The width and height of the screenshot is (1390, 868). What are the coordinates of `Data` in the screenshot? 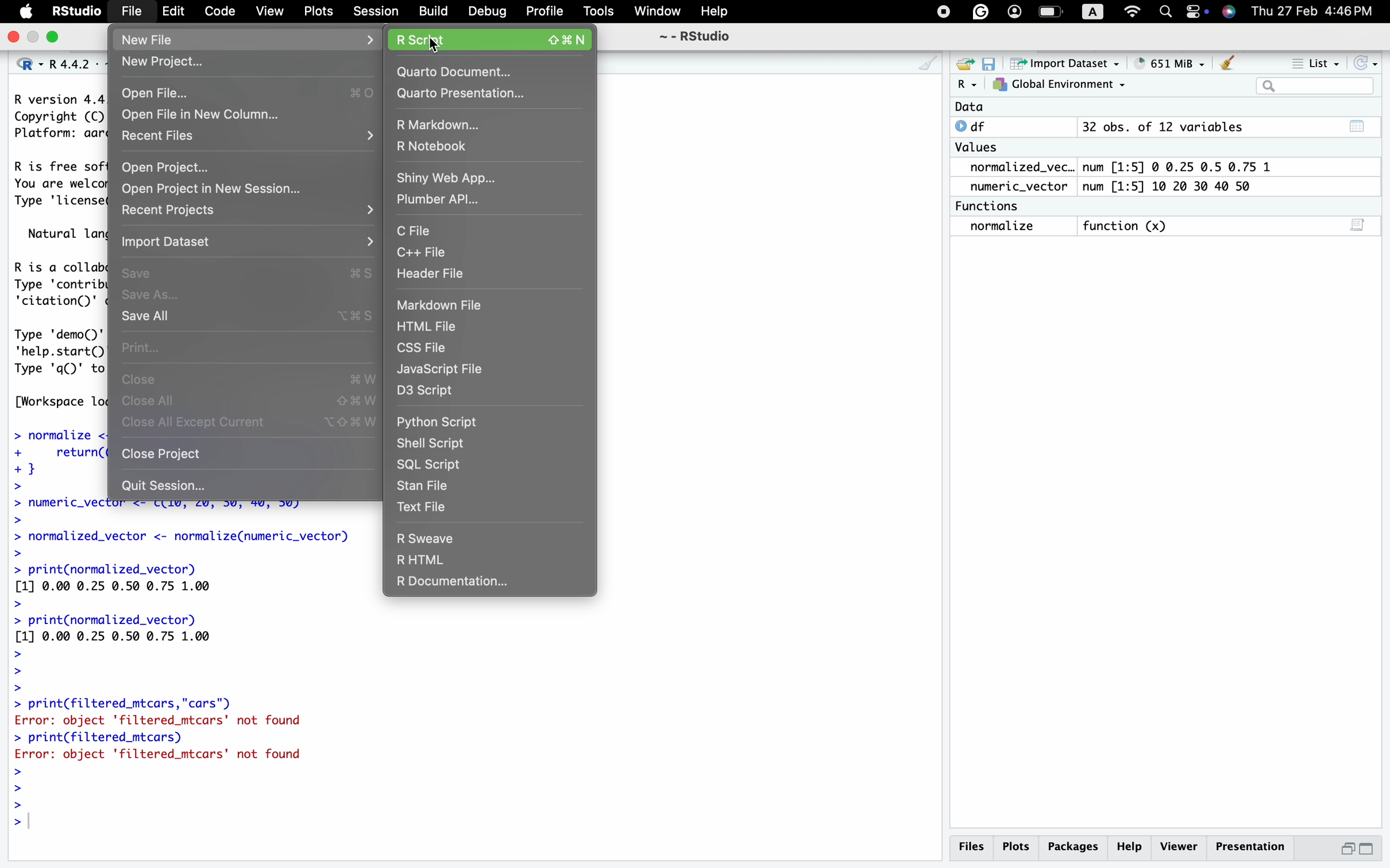 It's located at (1082, 107).